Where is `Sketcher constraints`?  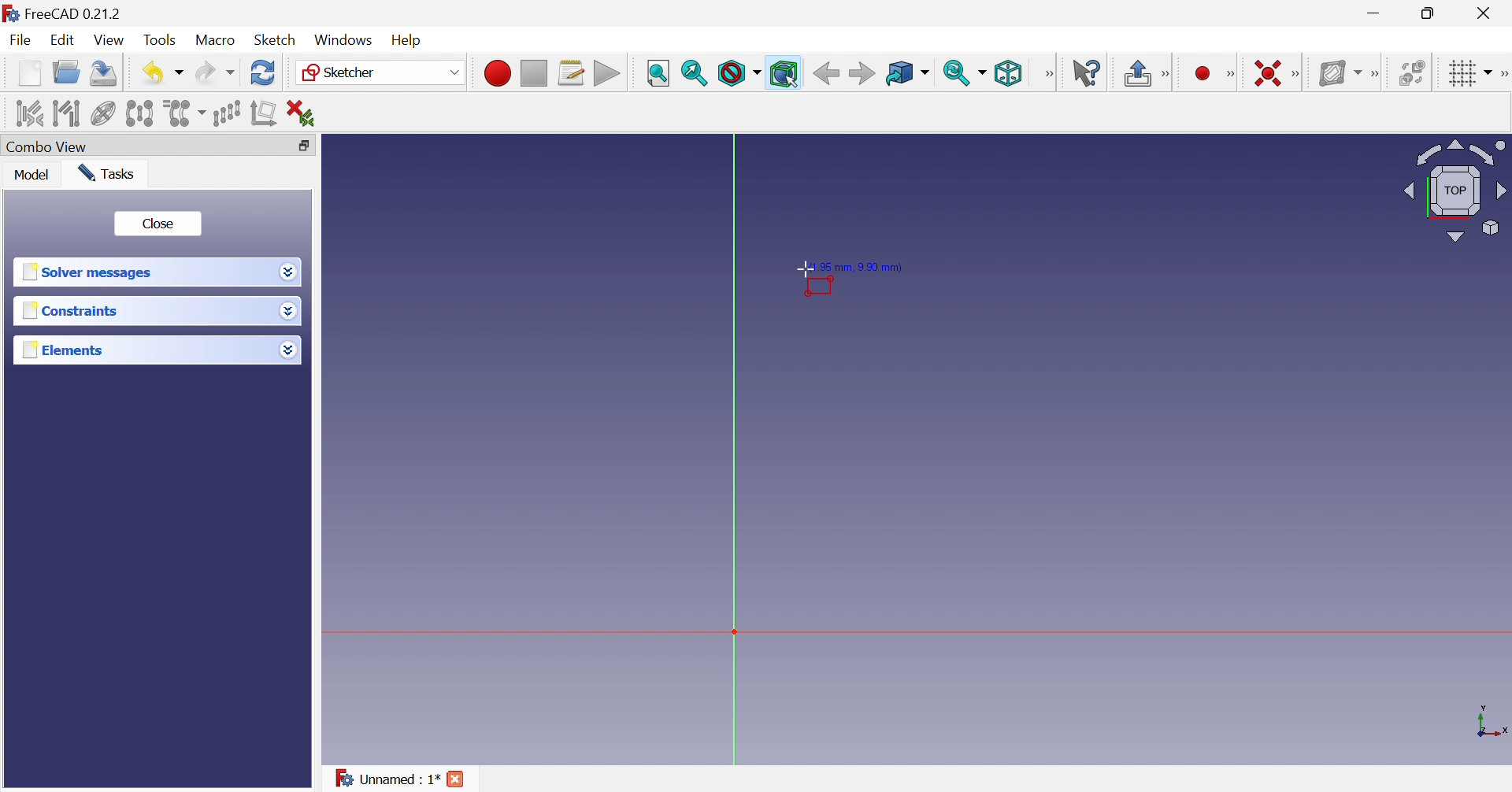 Sketcher constraints is located at coordinates (1296, 72).